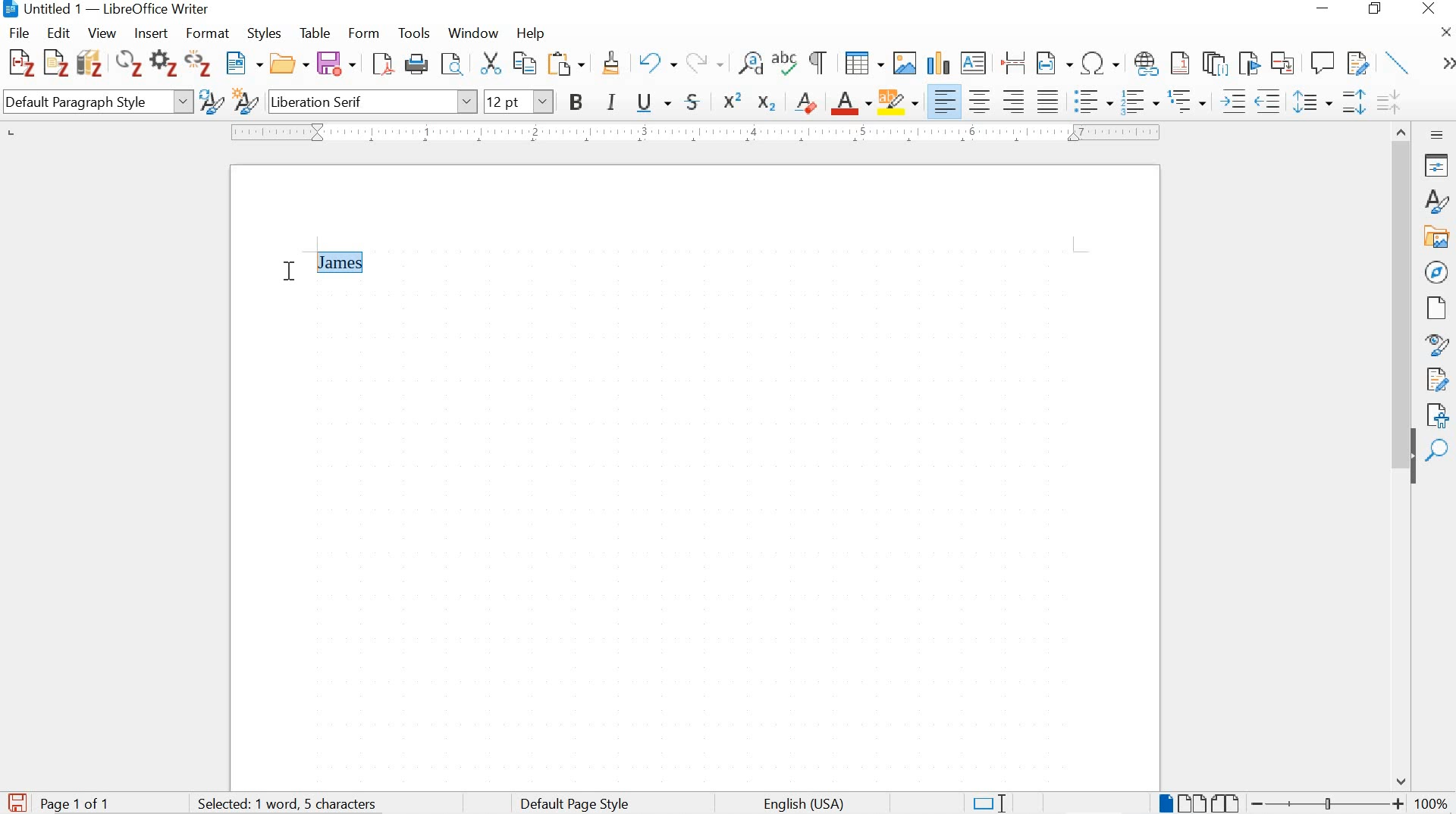 Image resolution: width=1456 pixels, height=814 pixels. I want to click on Properties, so click(1439, 165).